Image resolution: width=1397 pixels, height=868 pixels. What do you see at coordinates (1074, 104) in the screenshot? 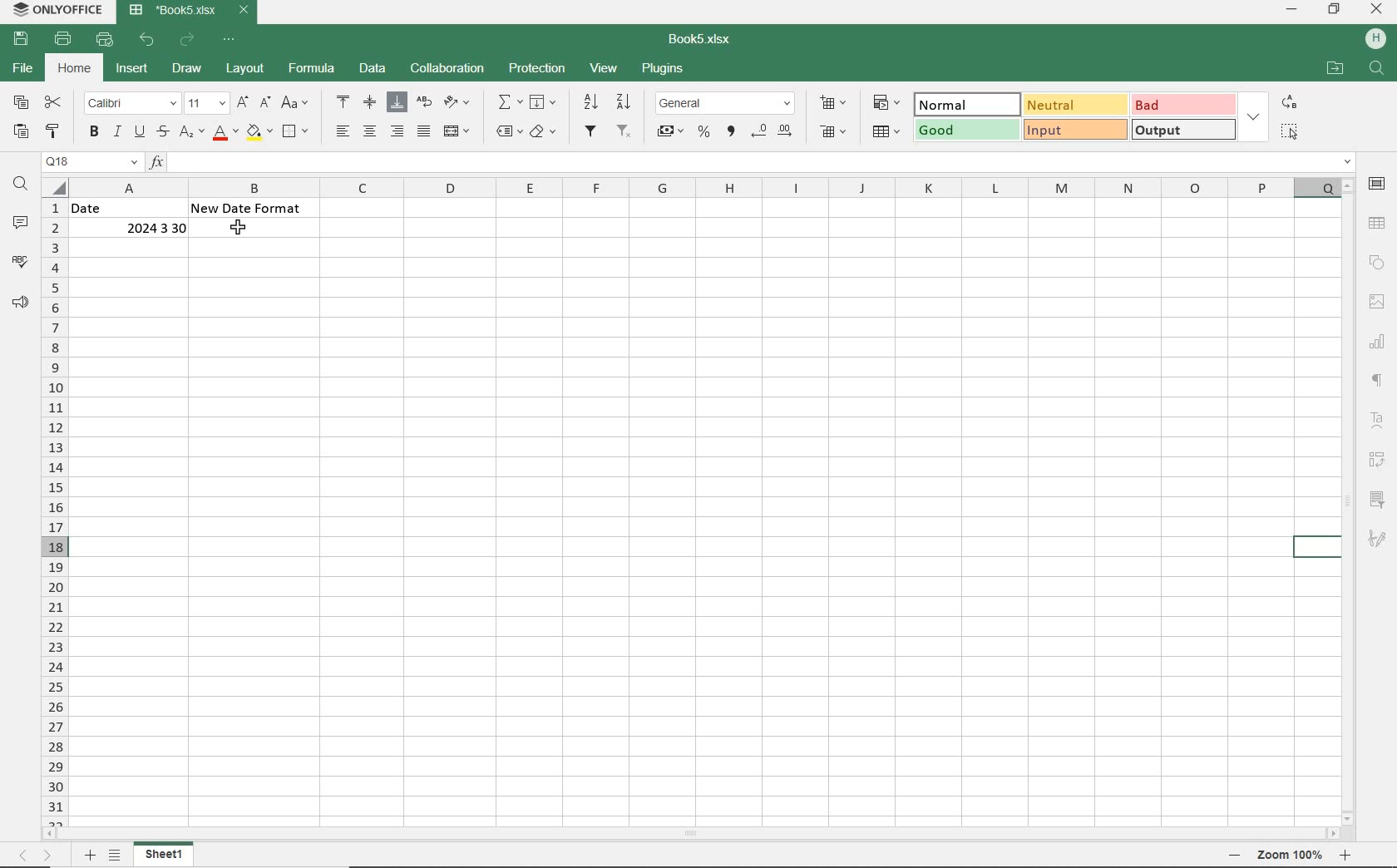
I see `NEUTRAL` at bounding box center [1074, 104].